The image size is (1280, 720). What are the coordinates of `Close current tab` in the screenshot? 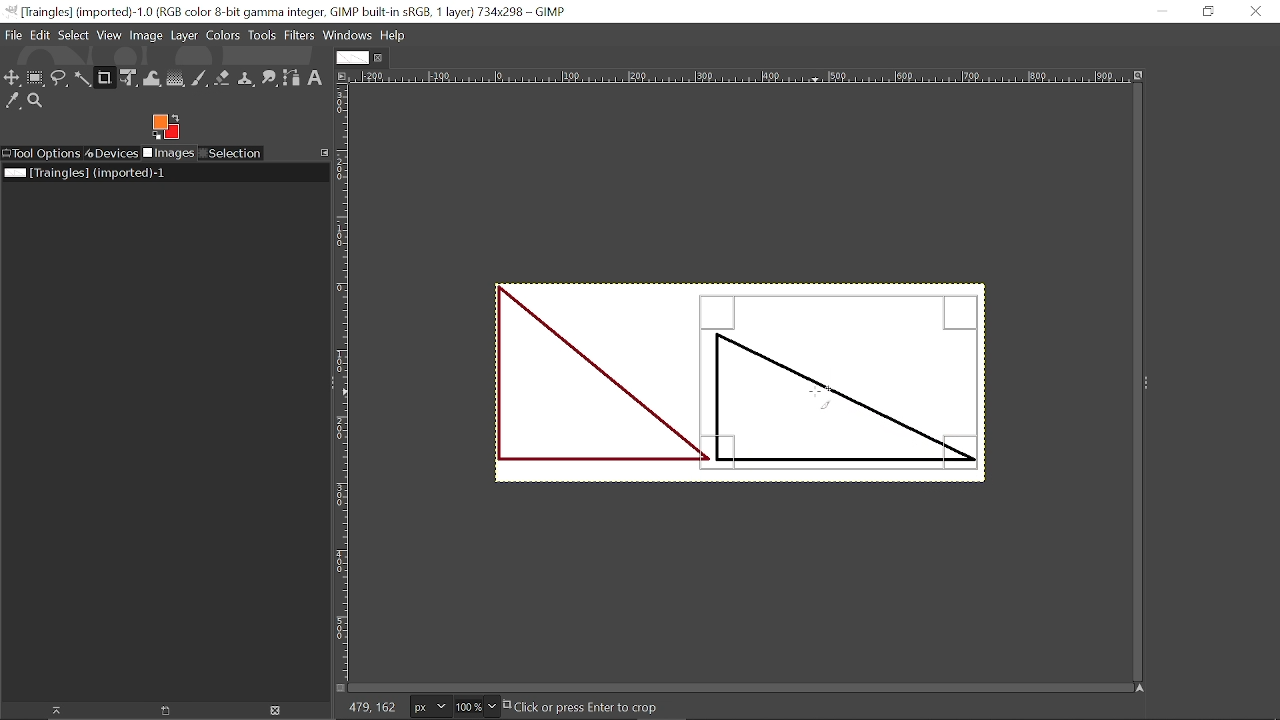 It's located at (379, 57).